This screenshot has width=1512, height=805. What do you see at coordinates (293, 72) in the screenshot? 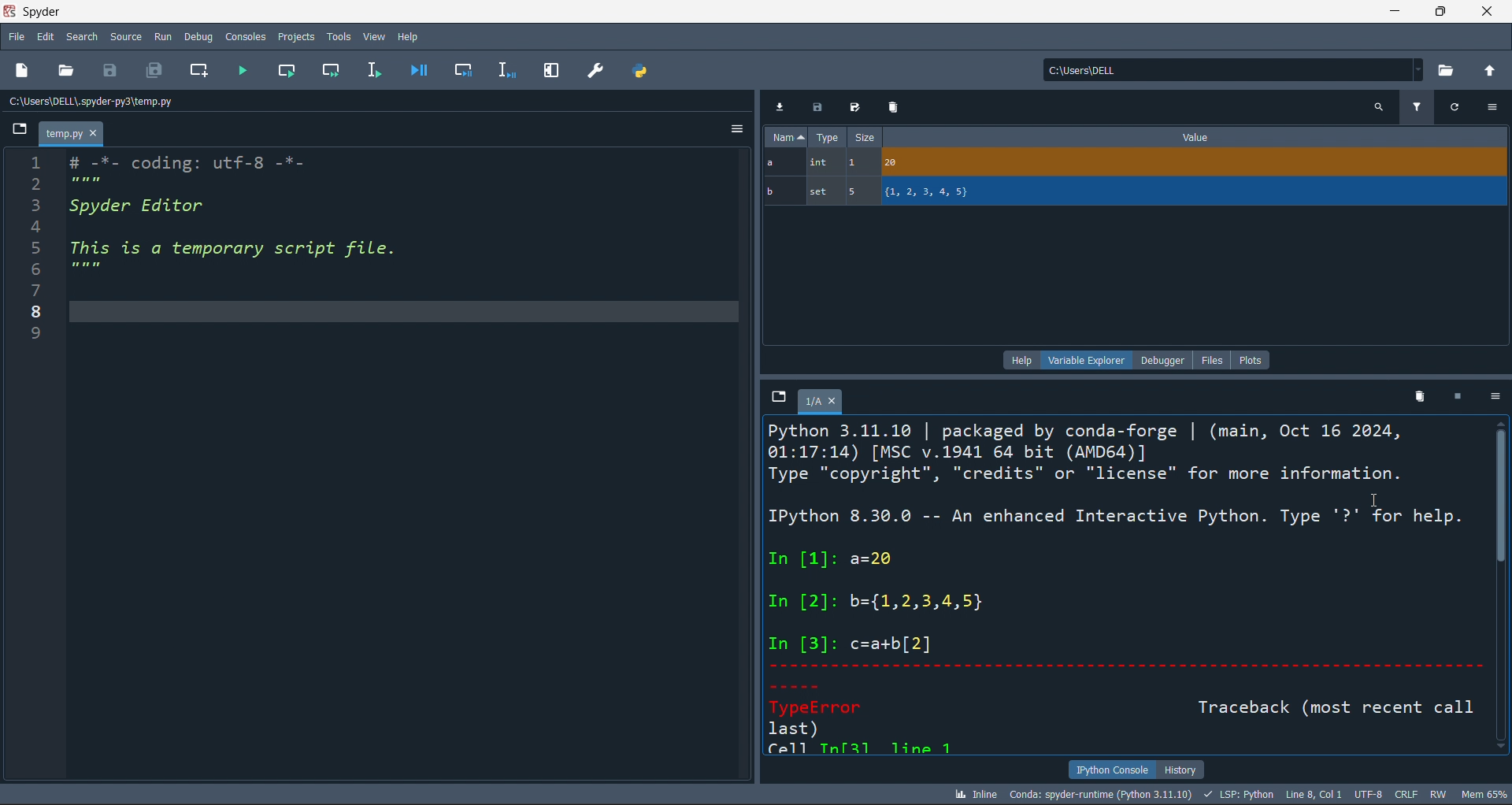
I see `run cell` at bounding box center [293, 72].